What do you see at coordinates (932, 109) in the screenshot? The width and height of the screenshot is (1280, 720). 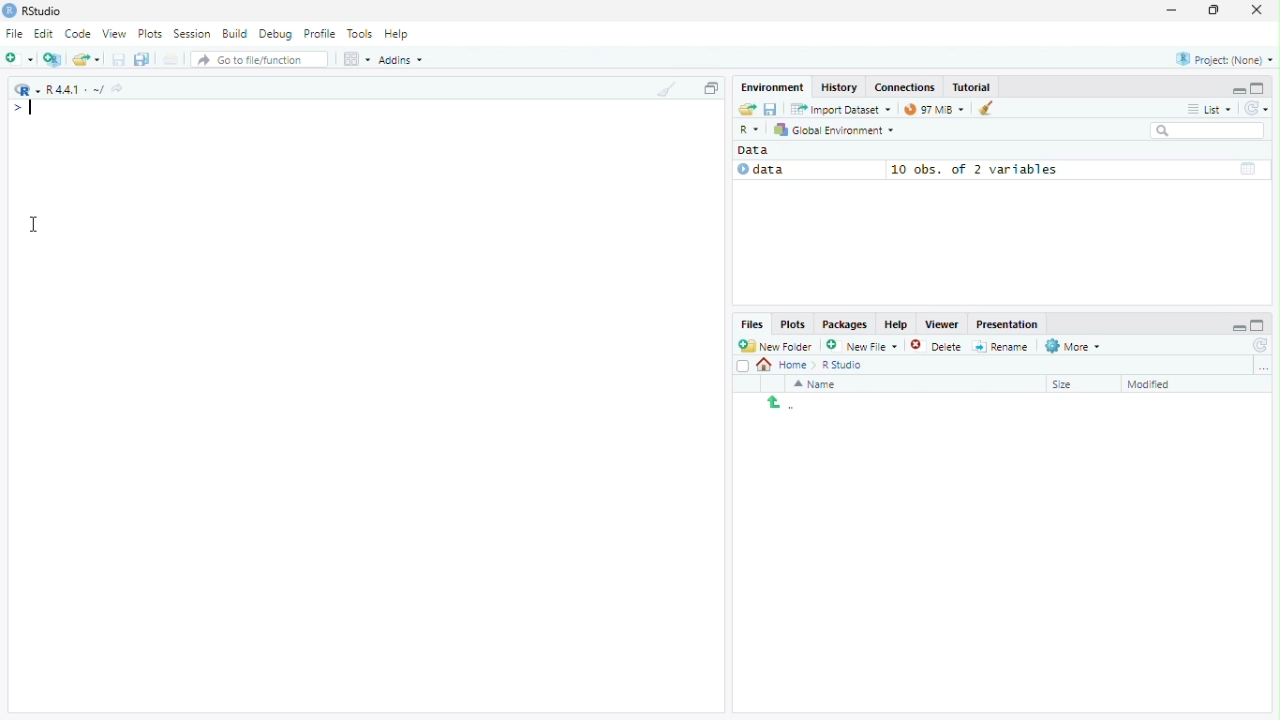 I see `Current memory usage - 97MiB` at bounding box center [932, 109].